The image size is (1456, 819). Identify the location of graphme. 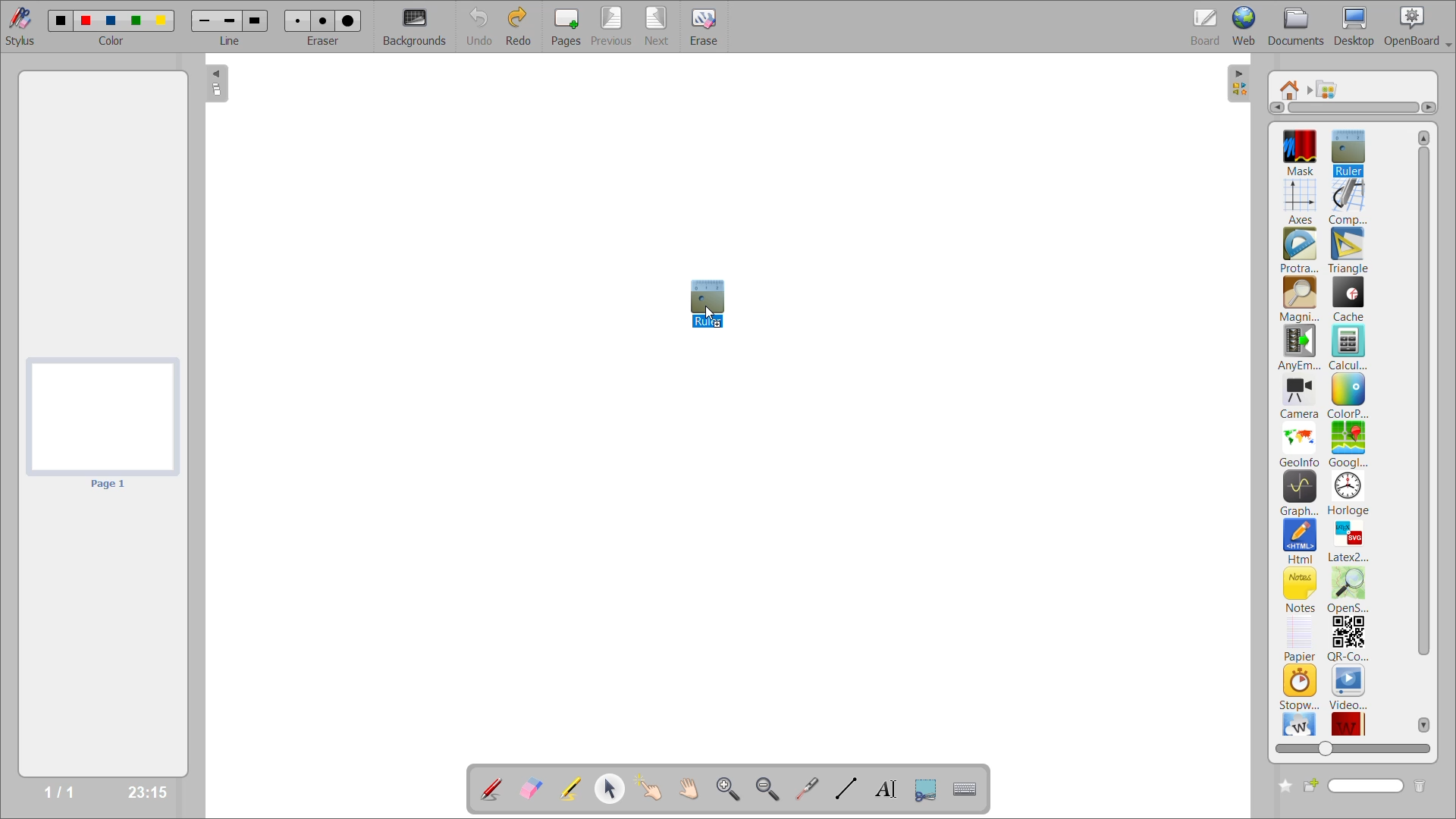
(1300, 494).